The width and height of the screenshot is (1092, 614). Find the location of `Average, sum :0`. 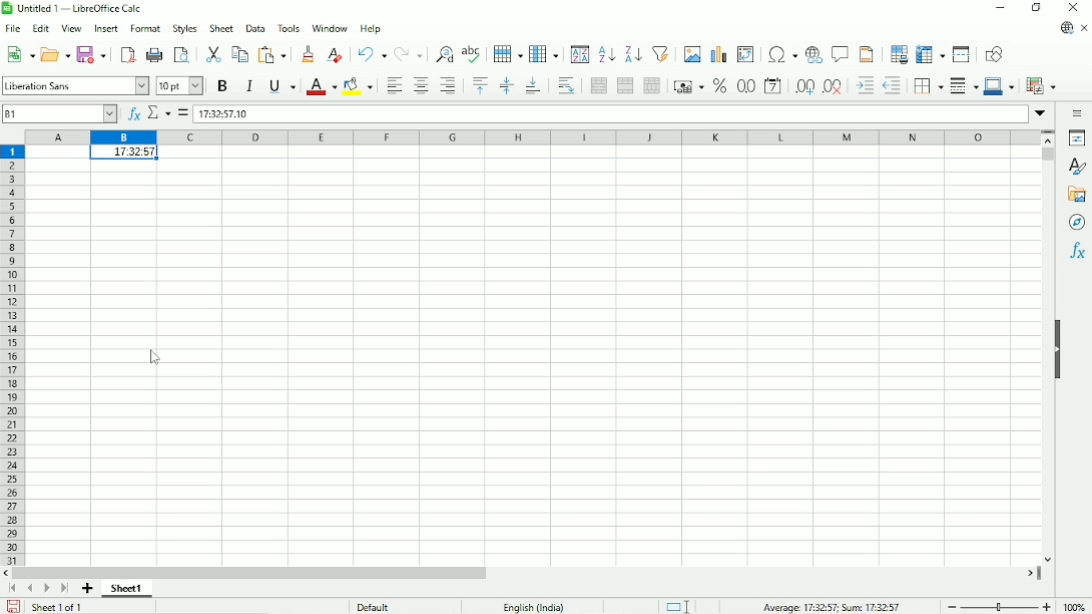

Average, sum :0 is located at coordinates (830, 605).